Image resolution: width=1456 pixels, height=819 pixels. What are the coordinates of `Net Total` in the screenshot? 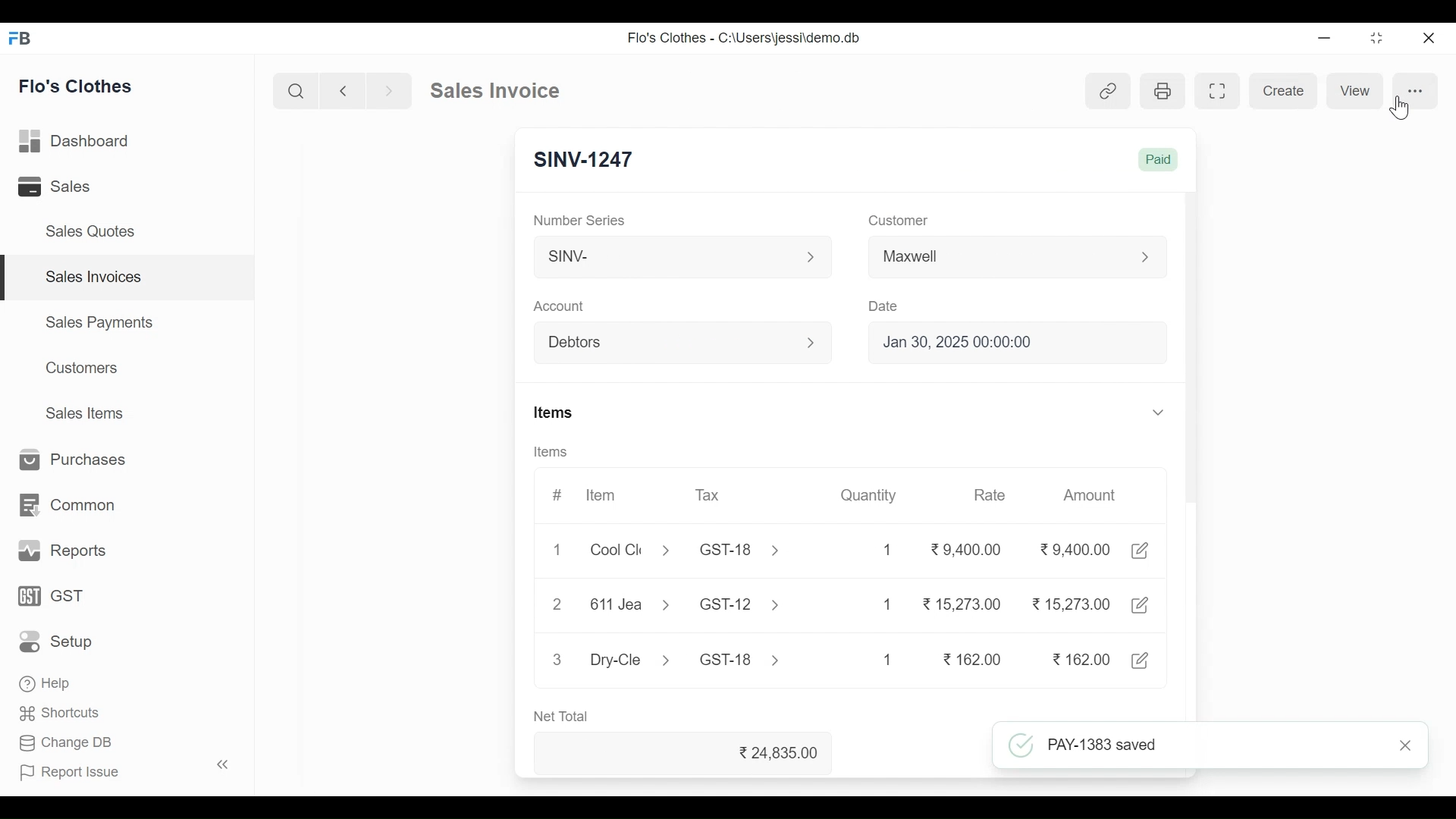 It's located at (566, 717).